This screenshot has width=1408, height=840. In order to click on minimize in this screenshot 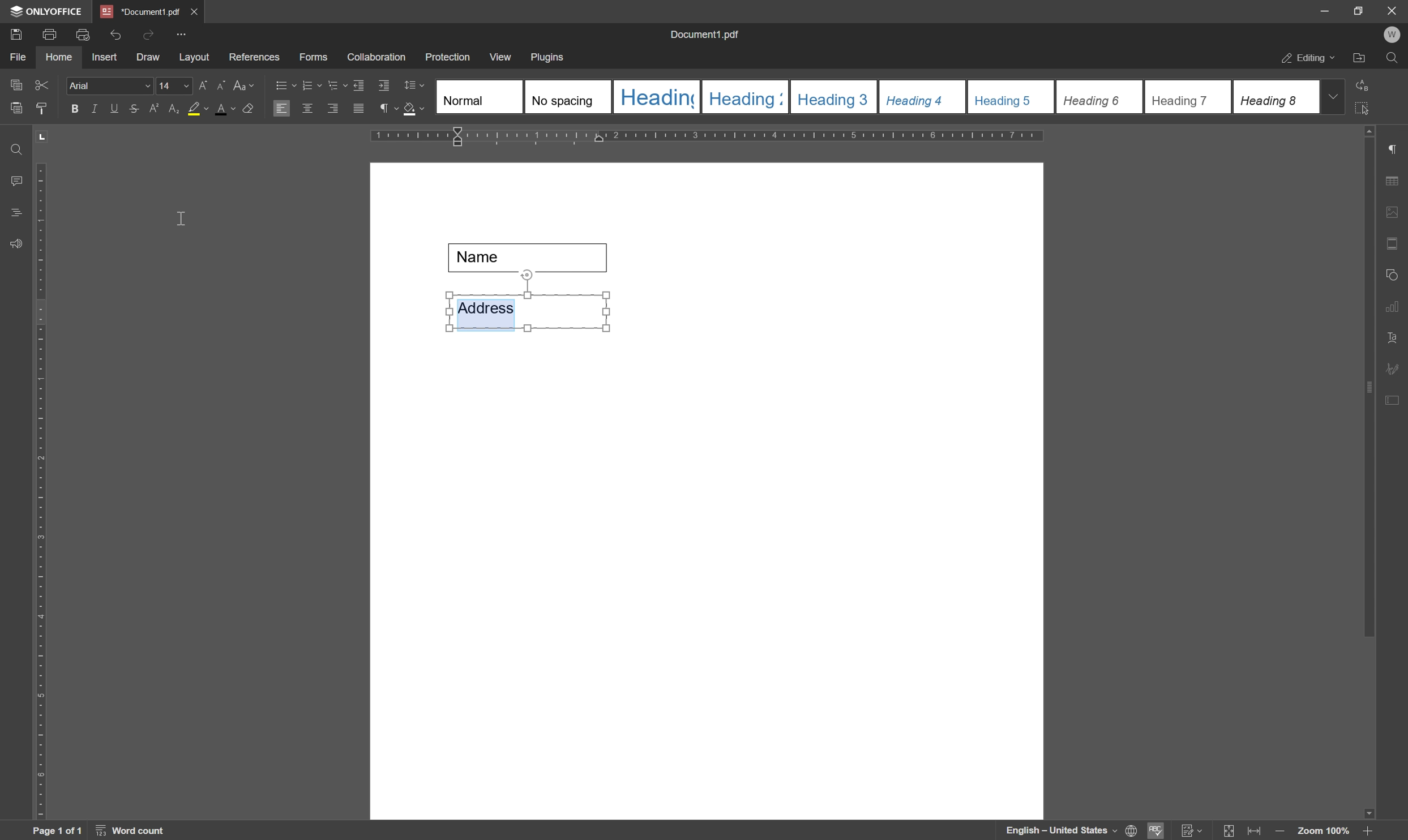, I will do `click(1319, 10)`.